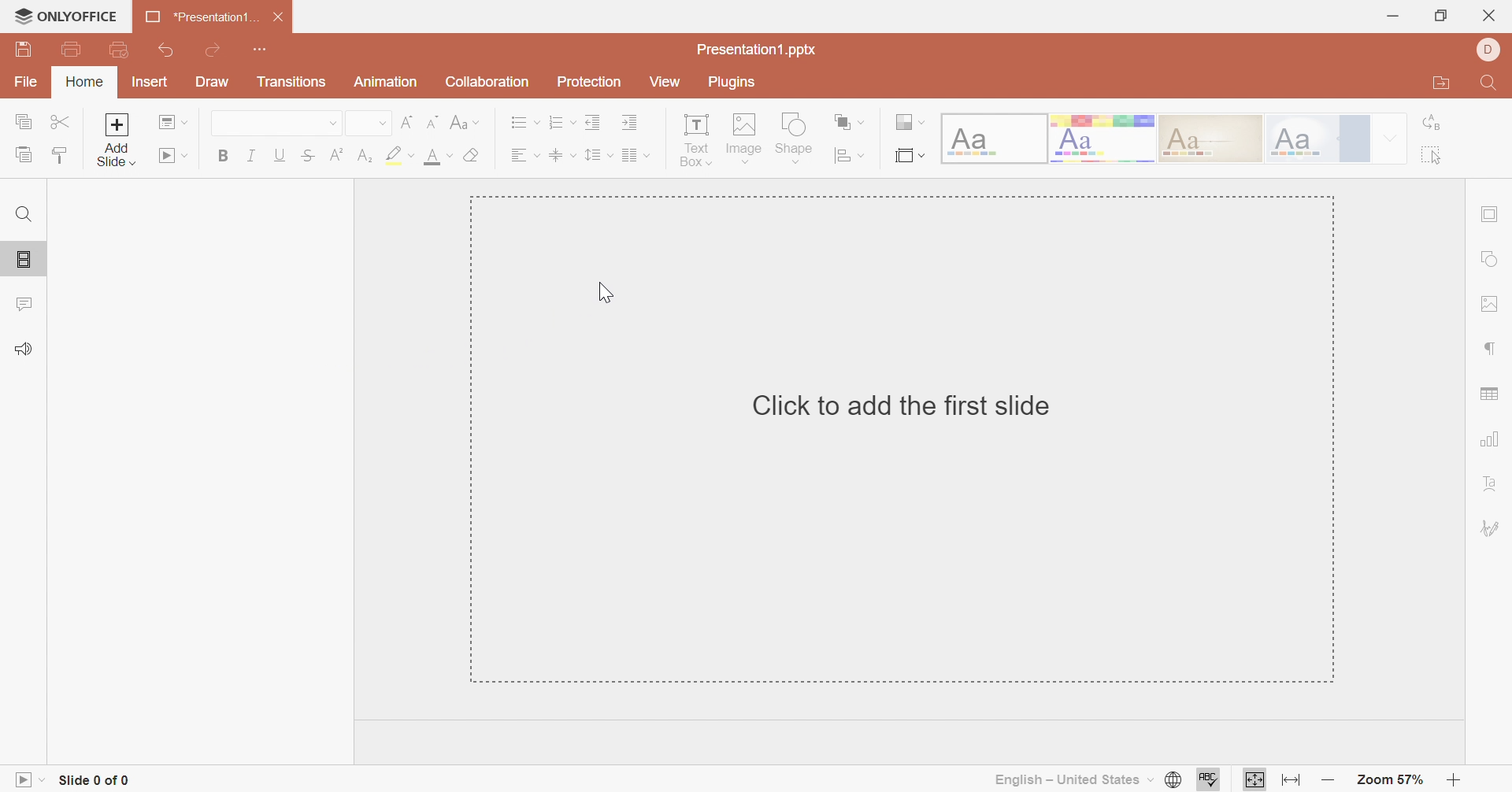 The height and width of the screenshot is (792, 1512). I want to click on Basic, so click(1103, 138).